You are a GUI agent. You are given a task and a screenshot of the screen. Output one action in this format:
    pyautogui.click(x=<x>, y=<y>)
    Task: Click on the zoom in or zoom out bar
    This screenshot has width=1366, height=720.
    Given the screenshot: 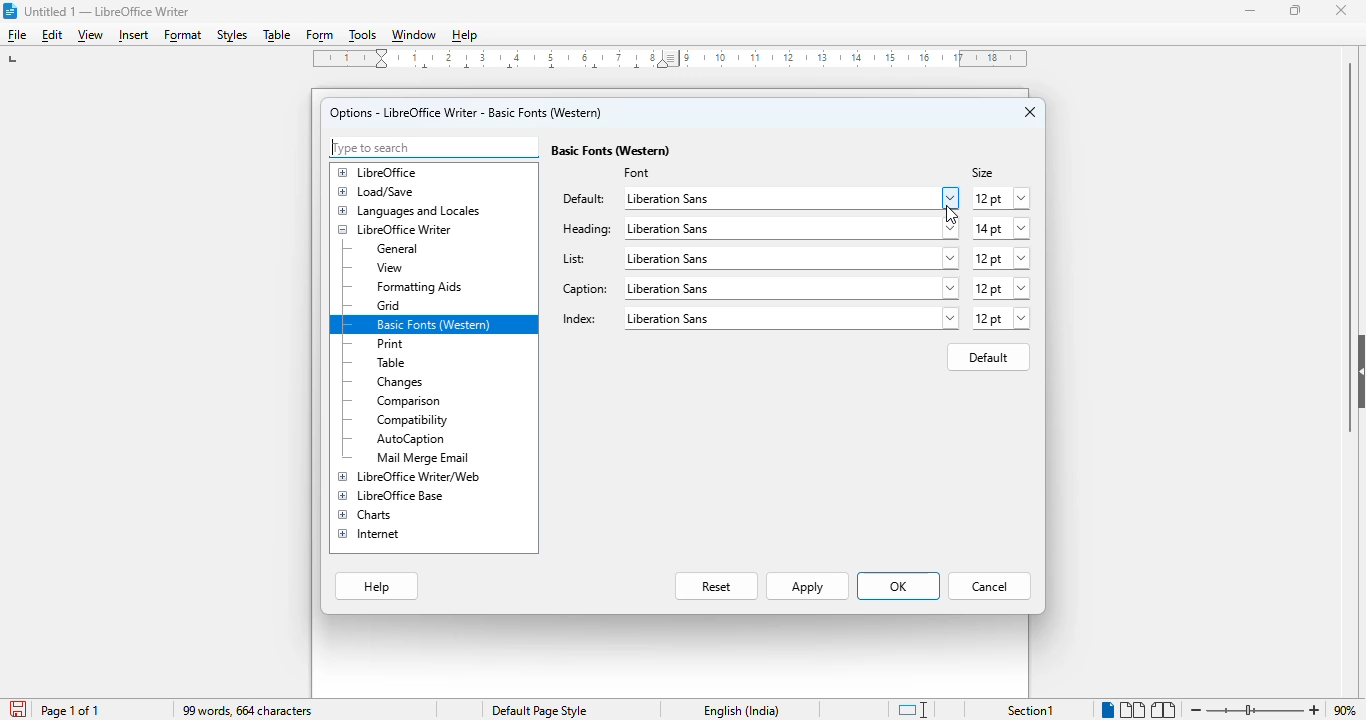 What is the action you would take?
    pyautogui.click(x=1255, y=710)
    